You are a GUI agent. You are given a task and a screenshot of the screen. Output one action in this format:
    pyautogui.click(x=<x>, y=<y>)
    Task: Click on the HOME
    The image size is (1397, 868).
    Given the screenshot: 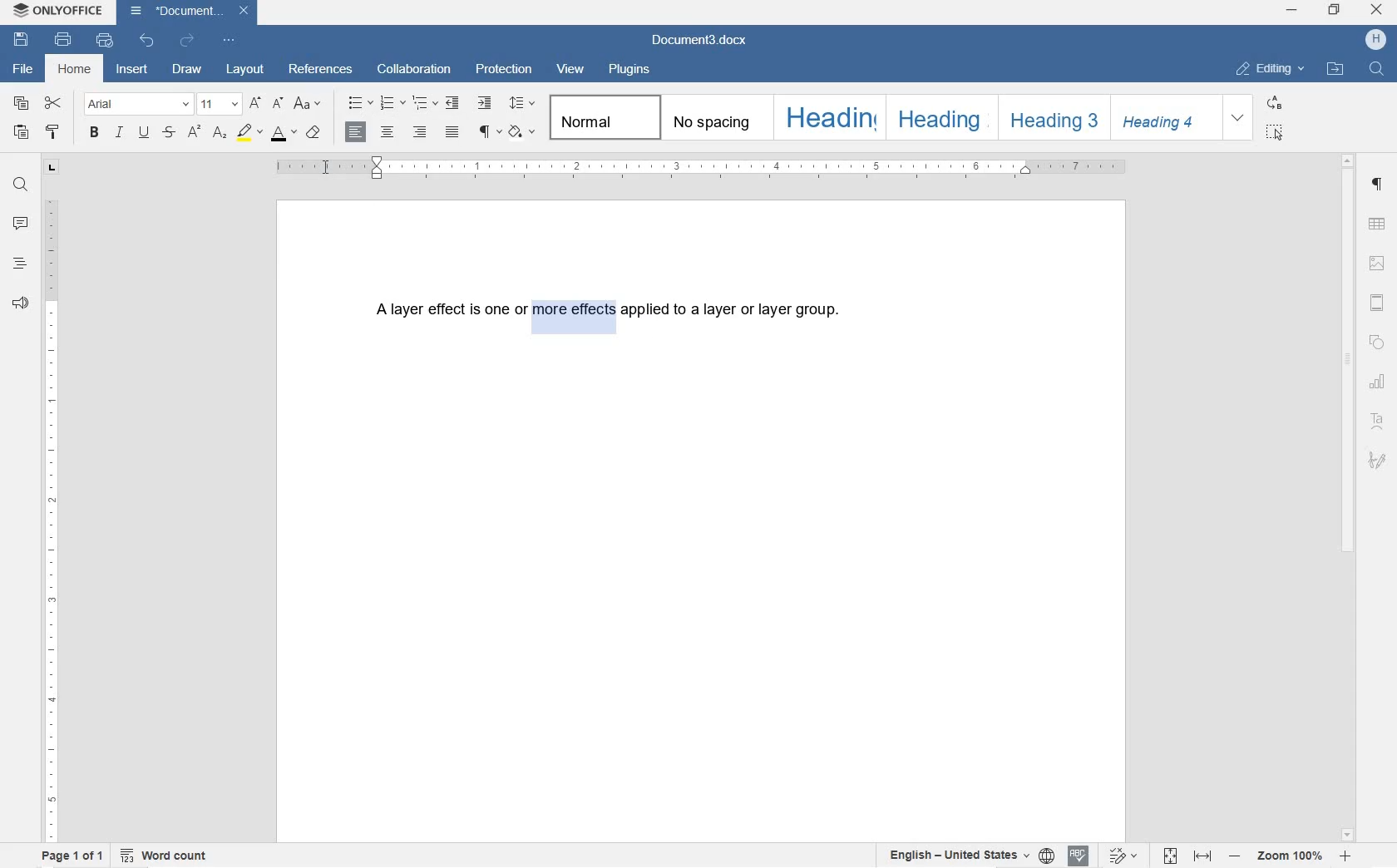 What is the action you would take?
    pyautogui.click(x=77, y=70)
    